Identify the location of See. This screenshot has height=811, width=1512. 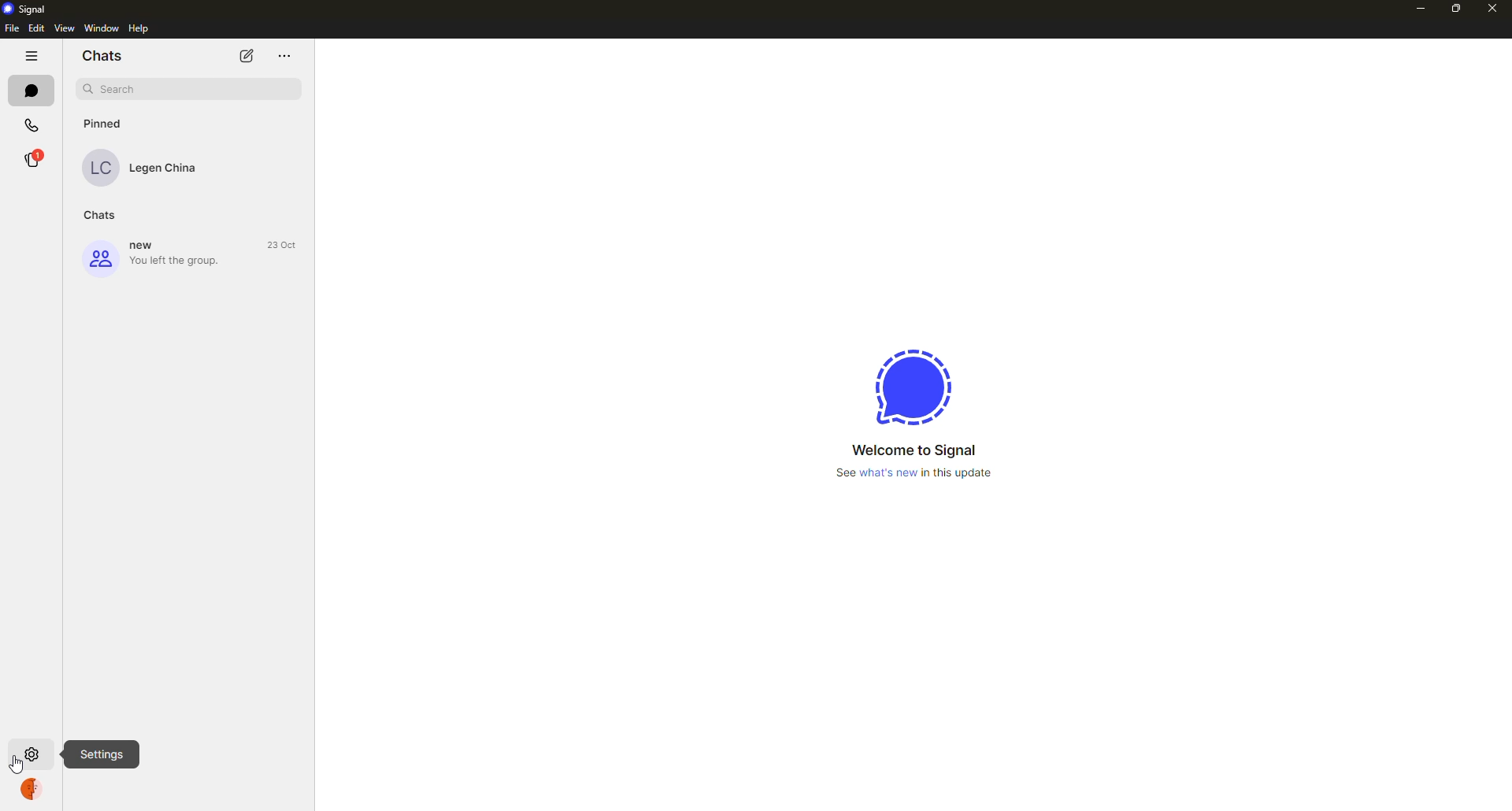
(842, 472).